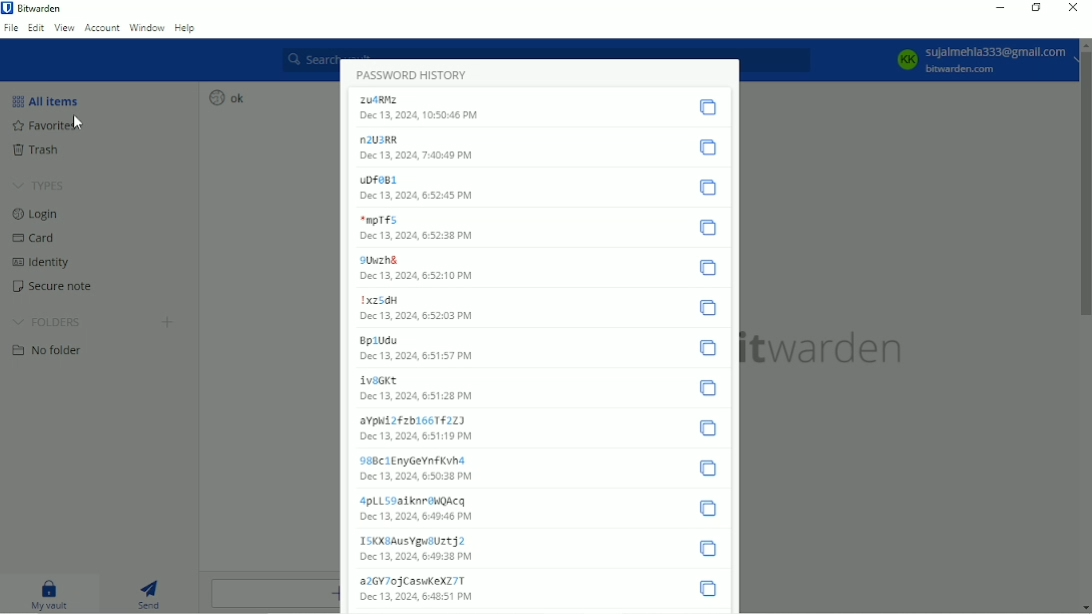 Image resolution: width=1092 pixels, height=614 pixels. What do you see at coordinates (417, 357) in the screenshot?
I see `Dec 13, 2024, 6:51:57 PM` at bounding box center [417, 357].